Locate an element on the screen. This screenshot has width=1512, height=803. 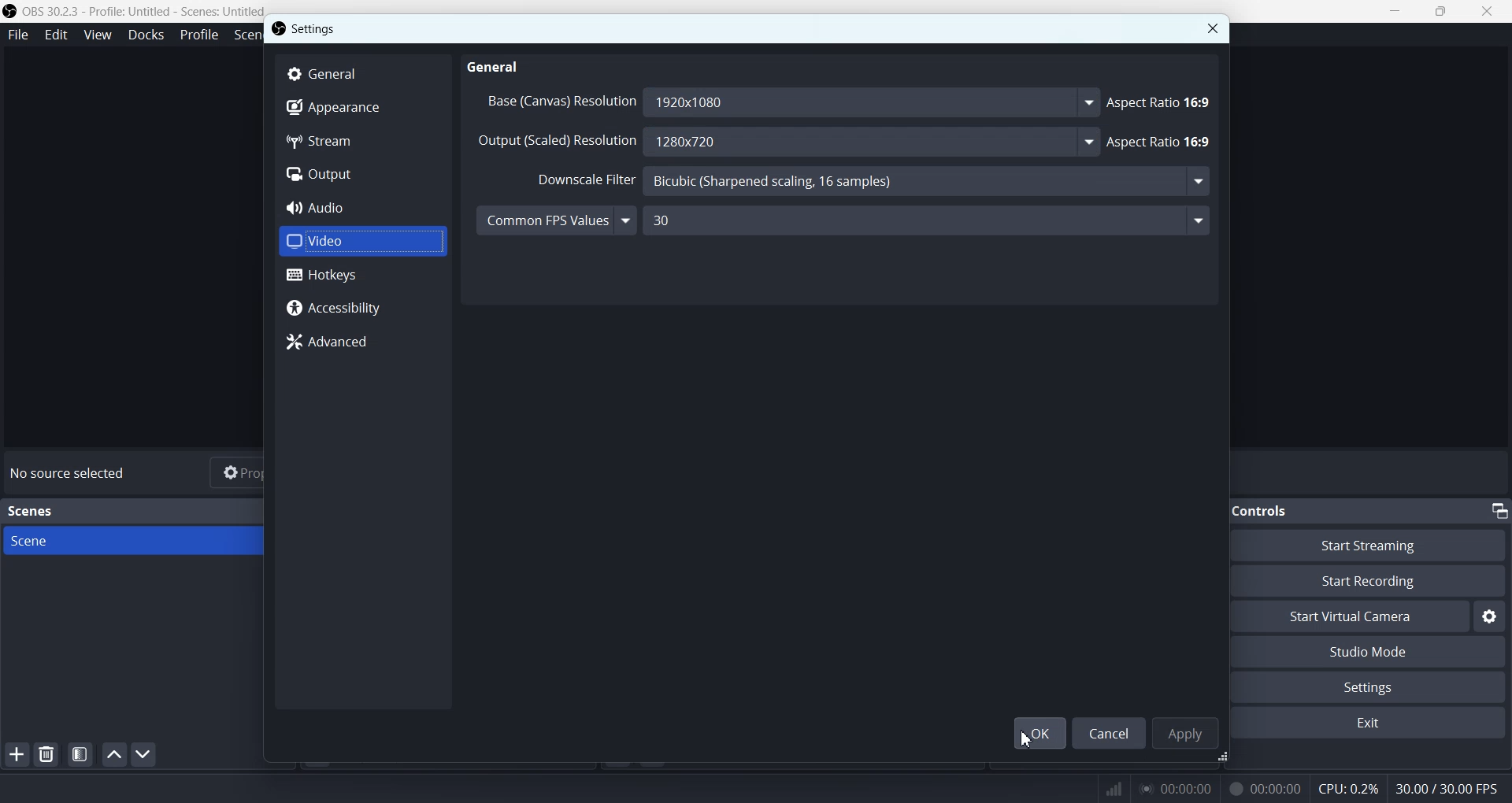
Base (Canvas) Resolution is located at coordinates (558, 101).